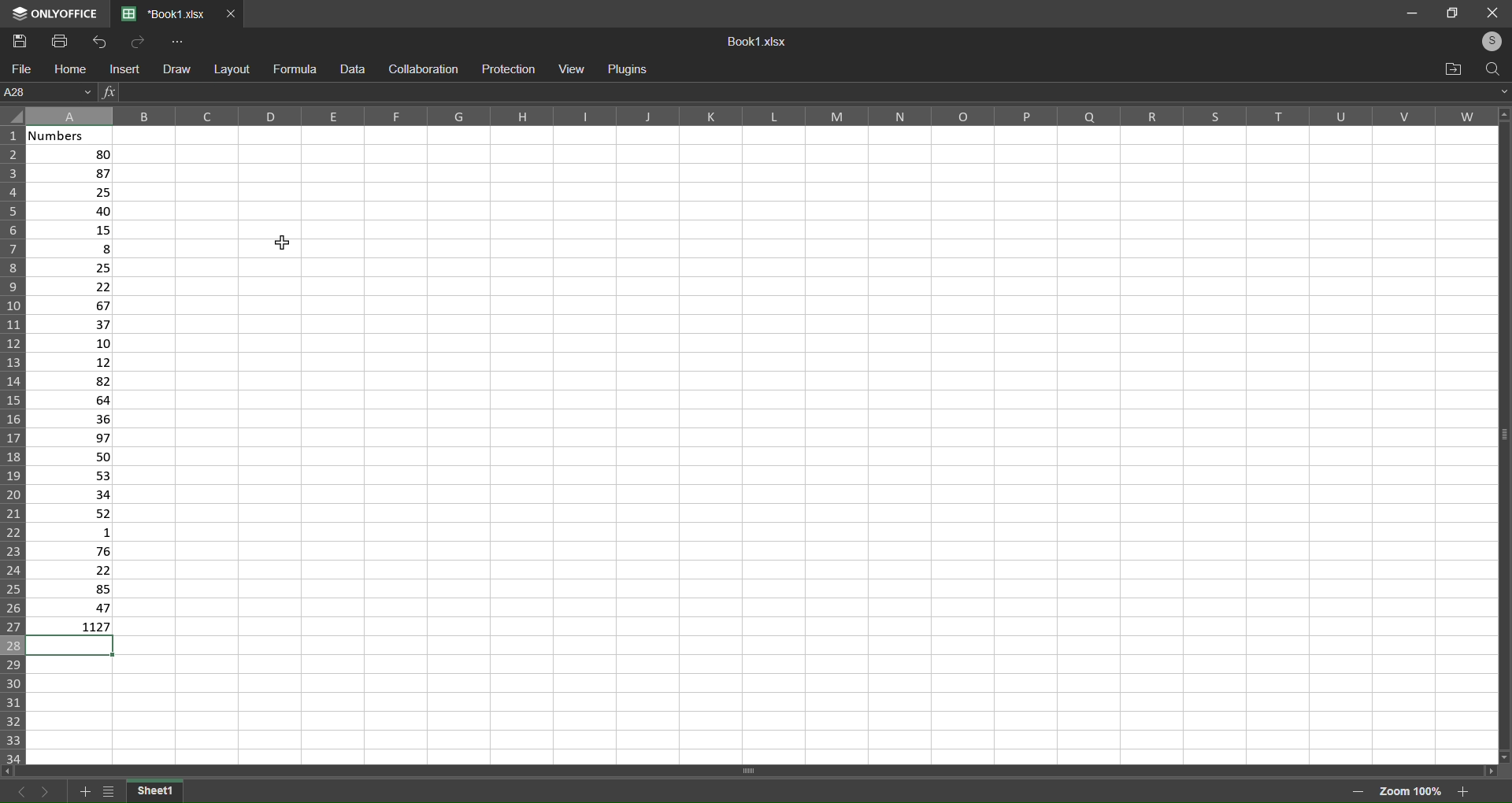 This screenshot has width=1512, height=803. I want to click on Close Tab, so click(232, 13).